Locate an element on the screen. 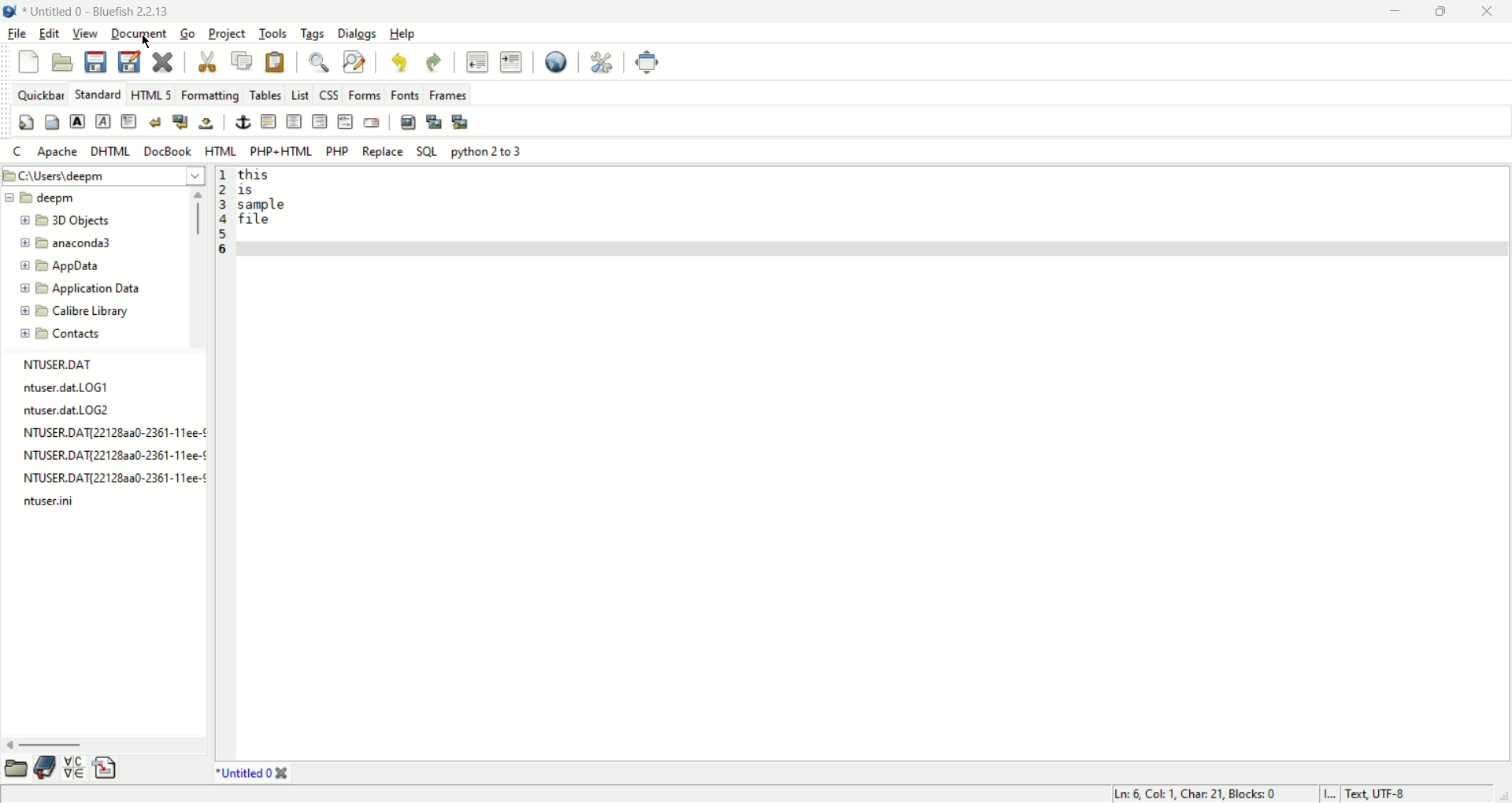 The width and height of the screenshot is (1512, 803). new is located at coordinates (28, 61).